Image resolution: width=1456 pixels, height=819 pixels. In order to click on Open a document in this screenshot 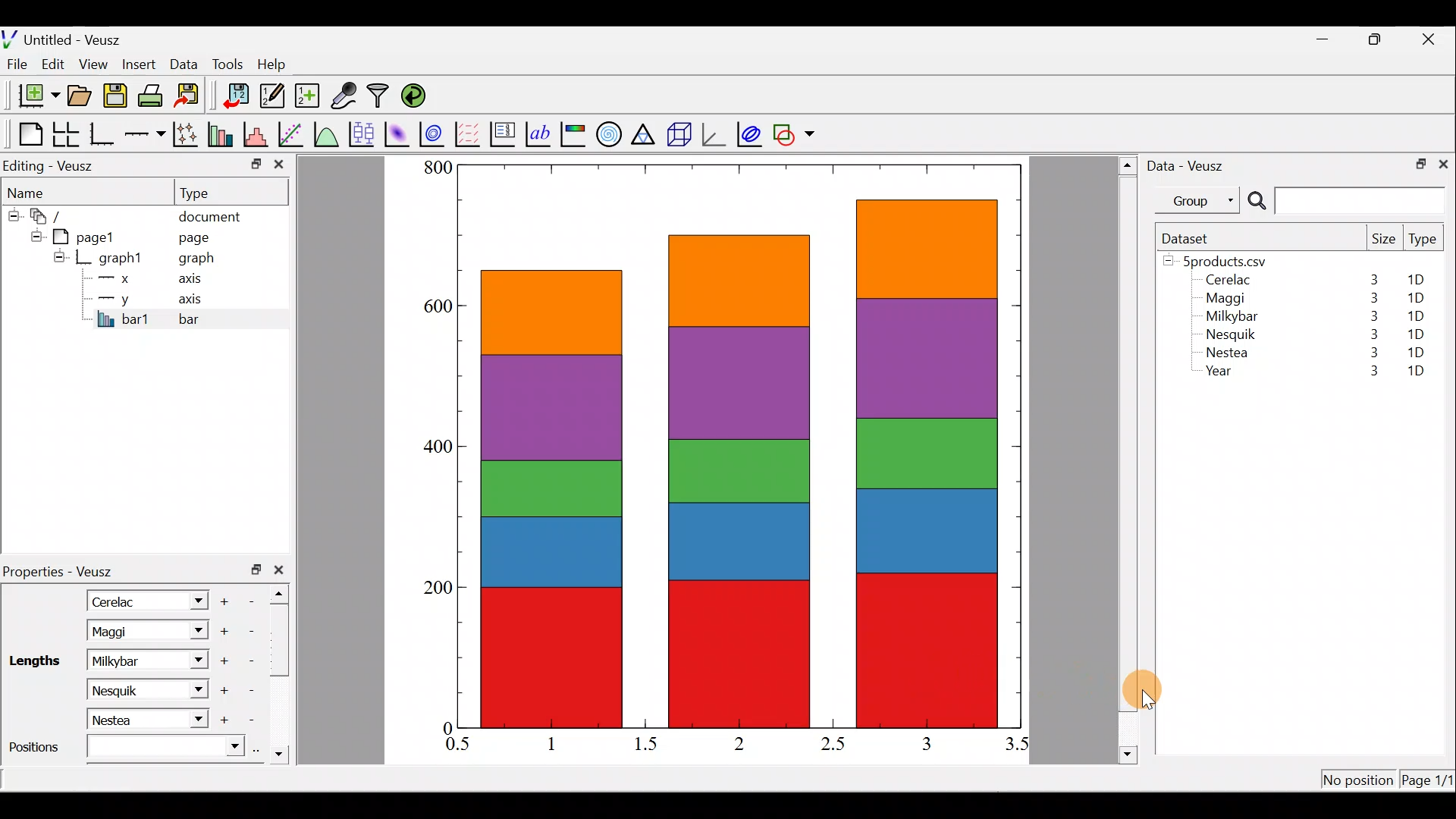, I will do `click(81, 97)`.